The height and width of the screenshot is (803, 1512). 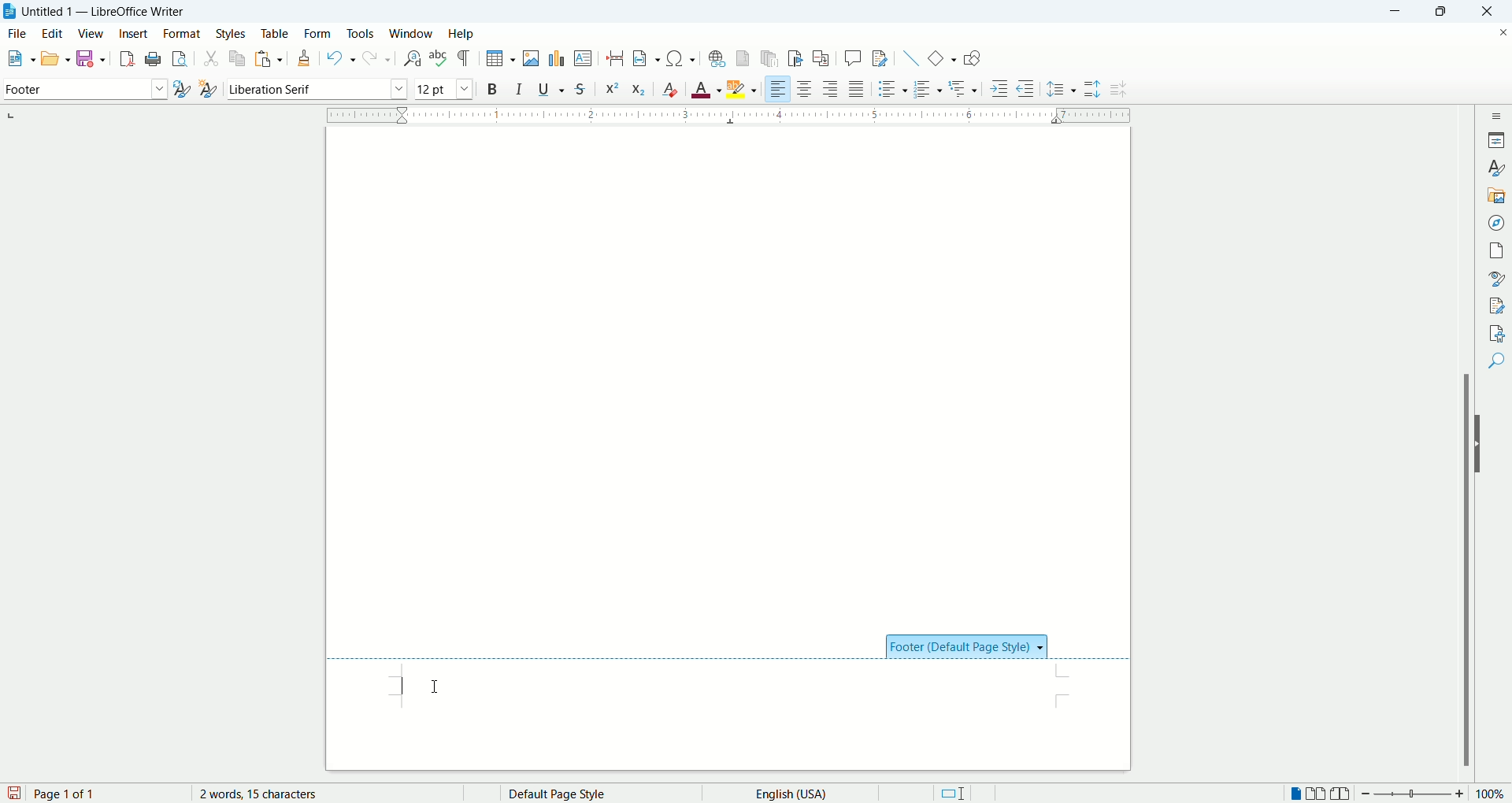 What do you see at coordinates (728, 113) in the screenshot?
I see `ruler` at bounding box center [728, 113].